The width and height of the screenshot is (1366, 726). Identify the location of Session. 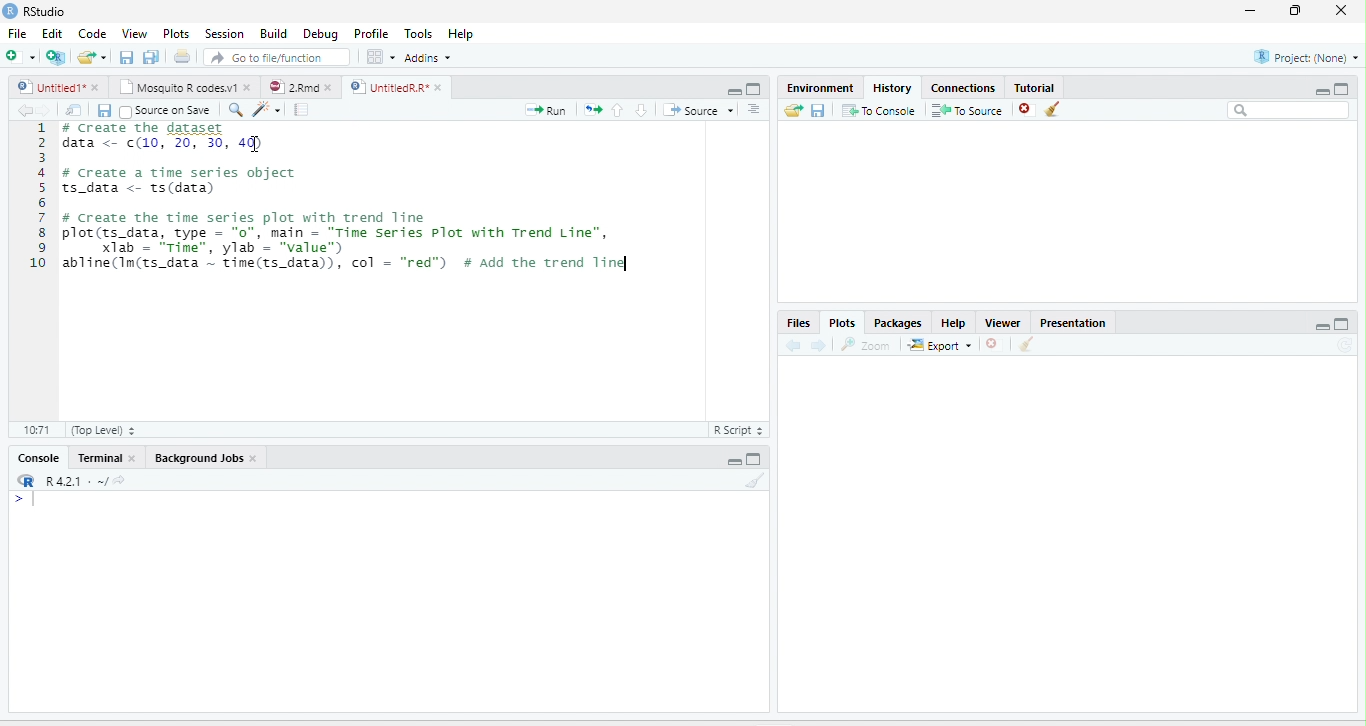
(225, 33).